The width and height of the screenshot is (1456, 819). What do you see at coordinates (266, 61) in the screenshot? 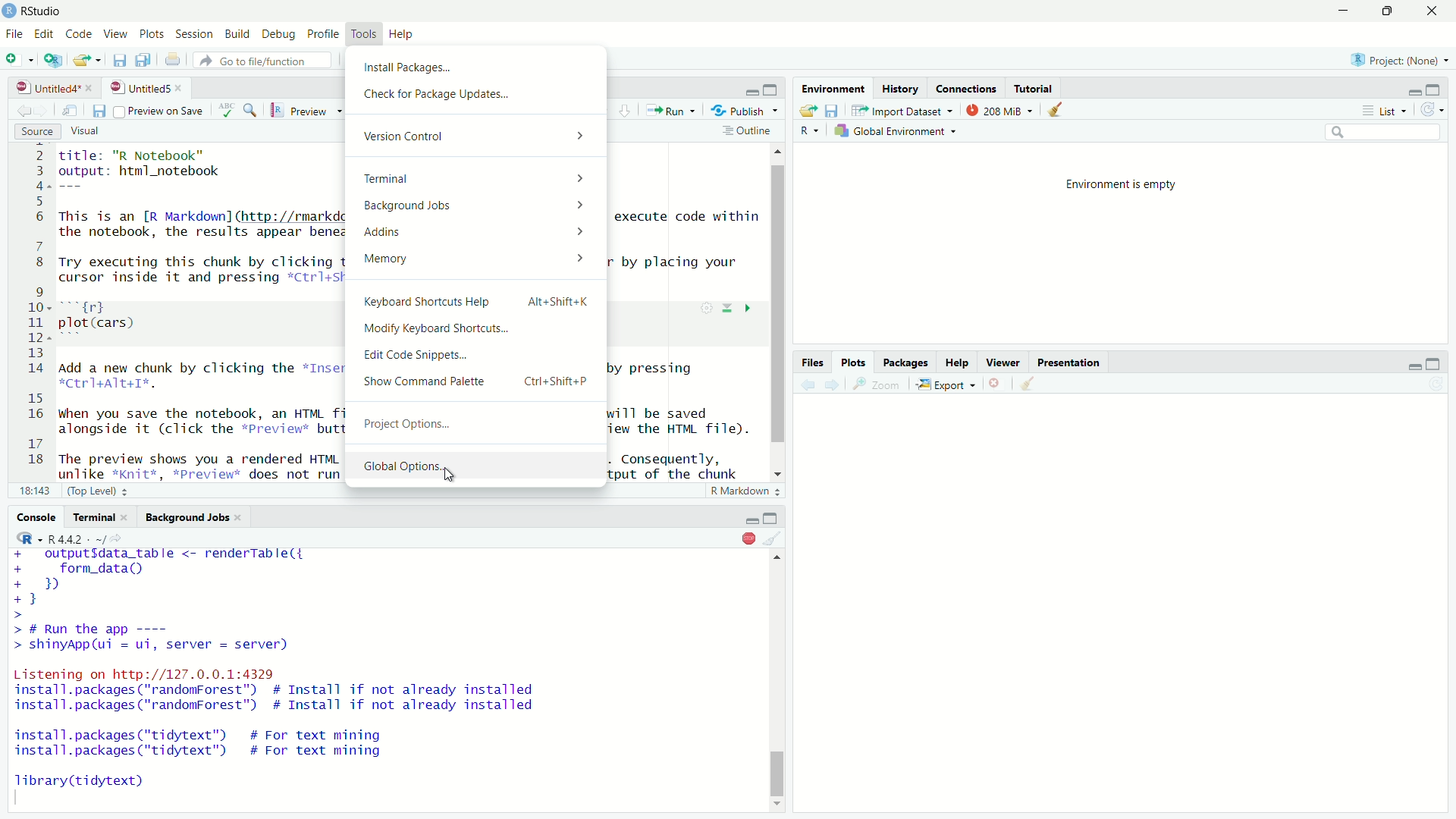
I see `Go to file/function` at bounding box center [266, 61].